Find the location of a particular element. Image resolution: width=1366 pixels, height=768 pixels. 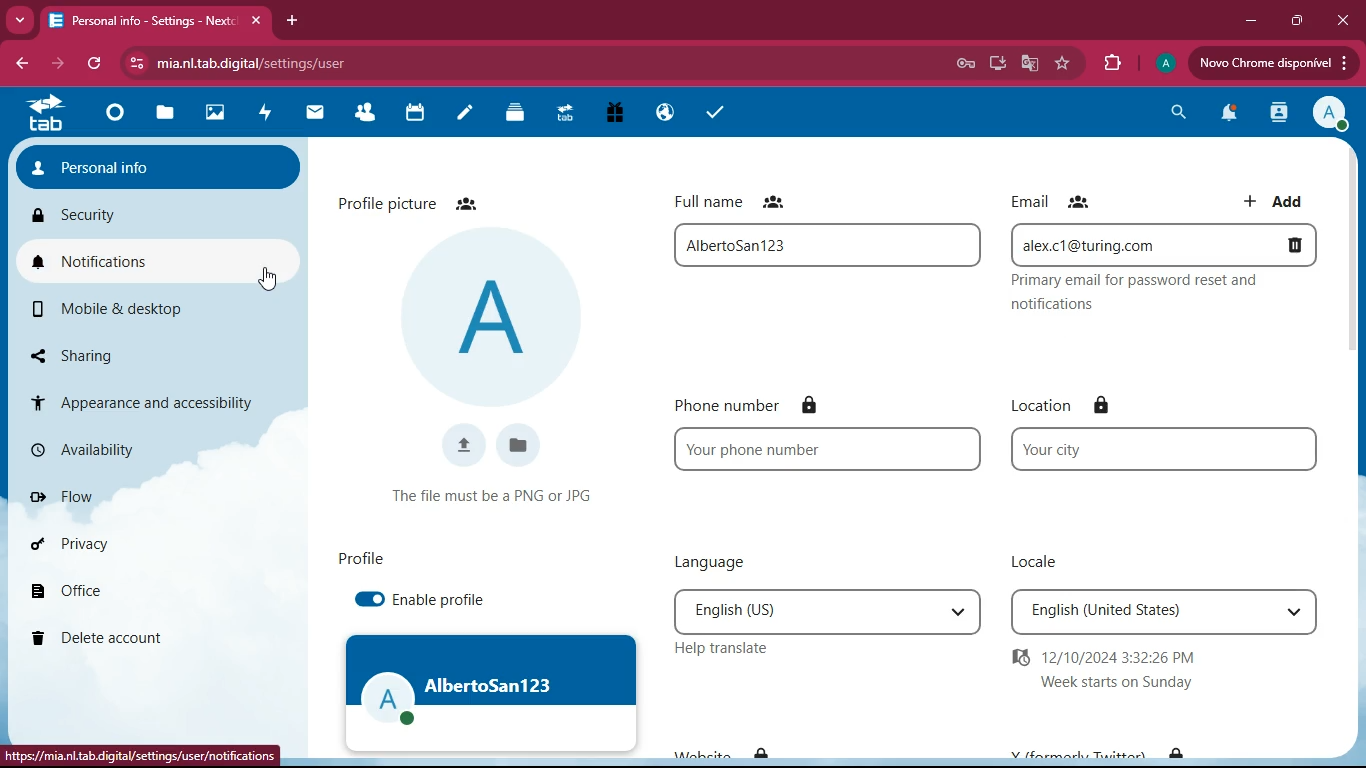

password is located at coordinates (965, 64).